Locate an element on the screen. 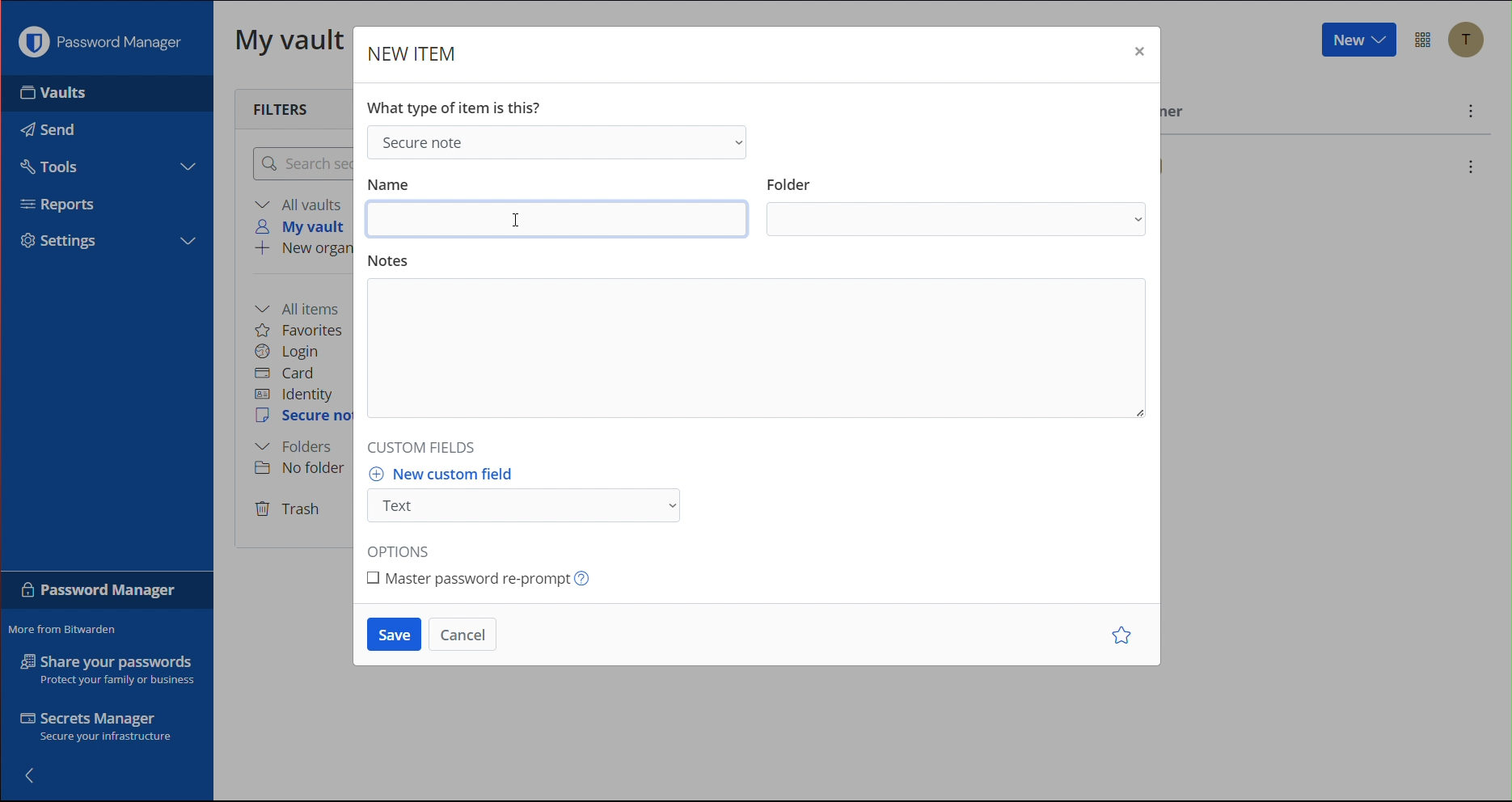 Image resolution: width=1512 pixels, height=802 pixels. Password Manager is located at coordinates (104, 42).